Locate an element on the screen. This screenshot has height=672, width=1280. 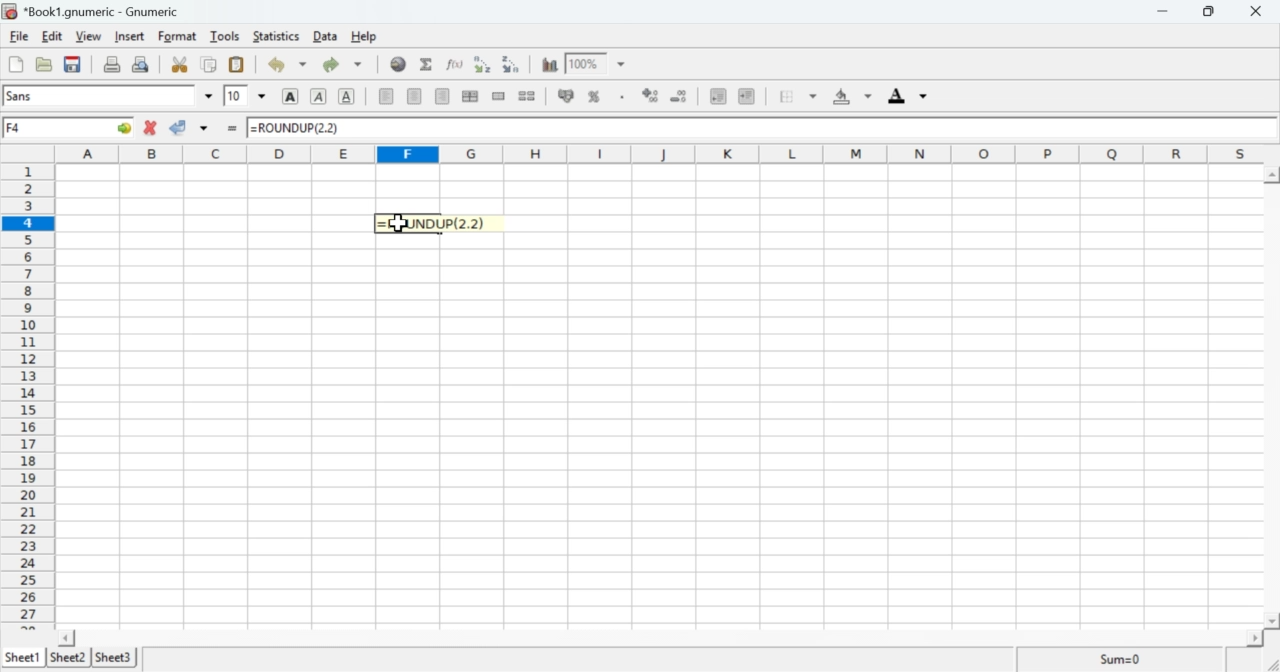
Format the selection as accounting is located at coordinates (566, 97).